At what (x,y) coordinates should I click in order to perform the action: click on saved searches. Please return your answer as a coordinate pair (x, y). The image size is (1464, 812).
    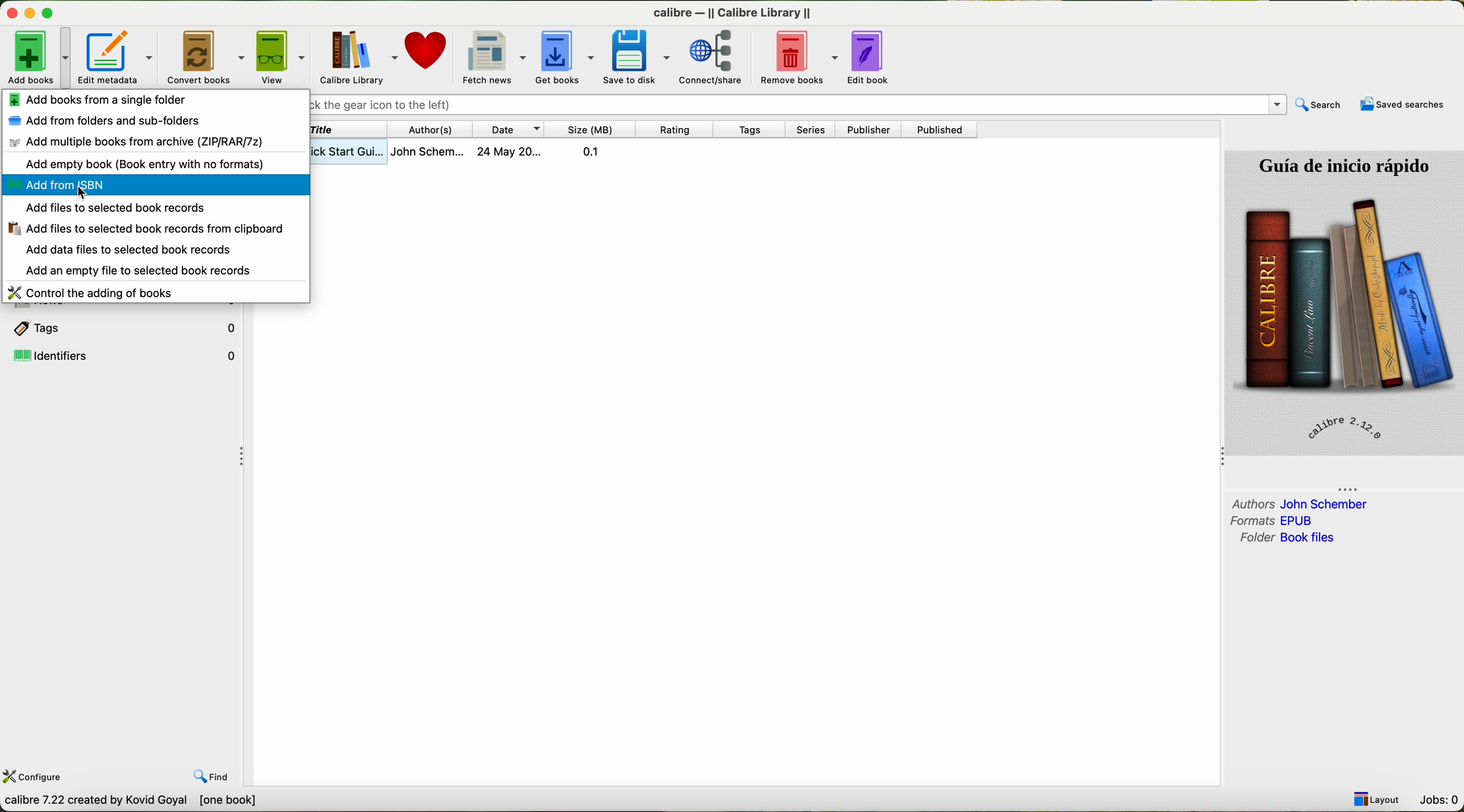
    Looking at the image, I should click on (1401, 106).